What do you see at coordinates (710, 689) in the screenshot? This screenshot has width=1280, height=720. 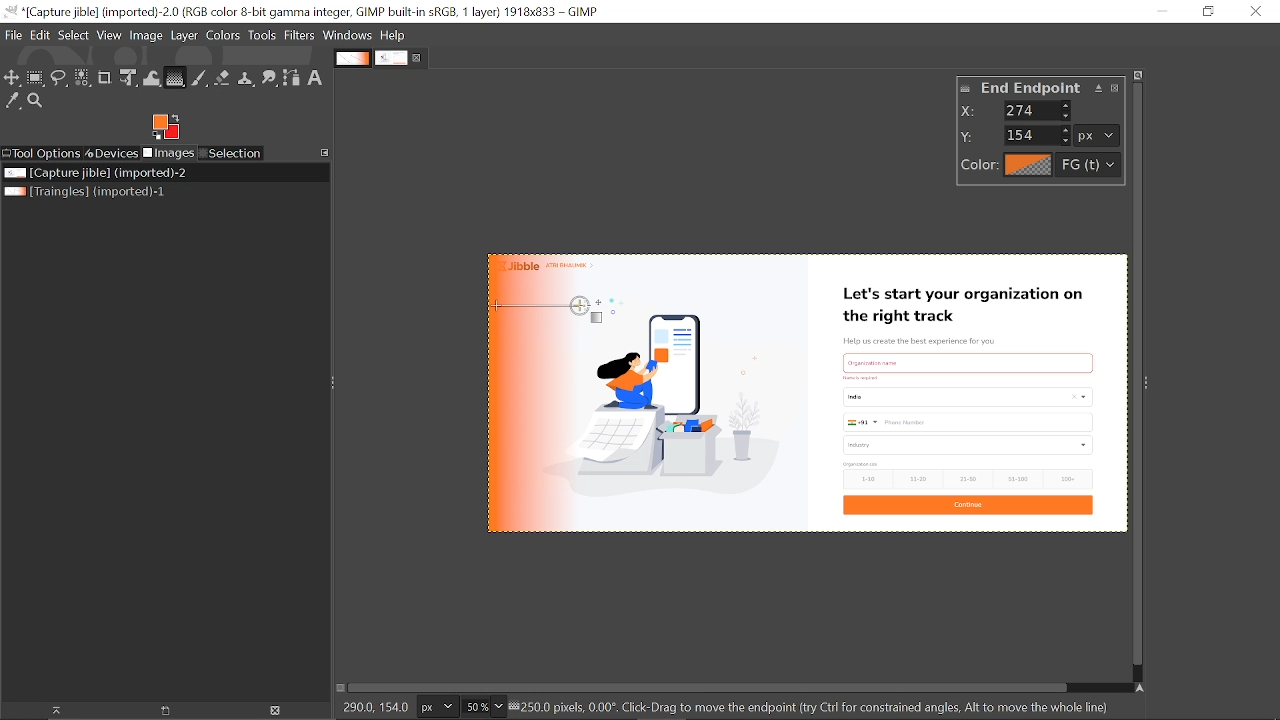 I see `Horizontal scrollbar` at bounding box center [710, 689].